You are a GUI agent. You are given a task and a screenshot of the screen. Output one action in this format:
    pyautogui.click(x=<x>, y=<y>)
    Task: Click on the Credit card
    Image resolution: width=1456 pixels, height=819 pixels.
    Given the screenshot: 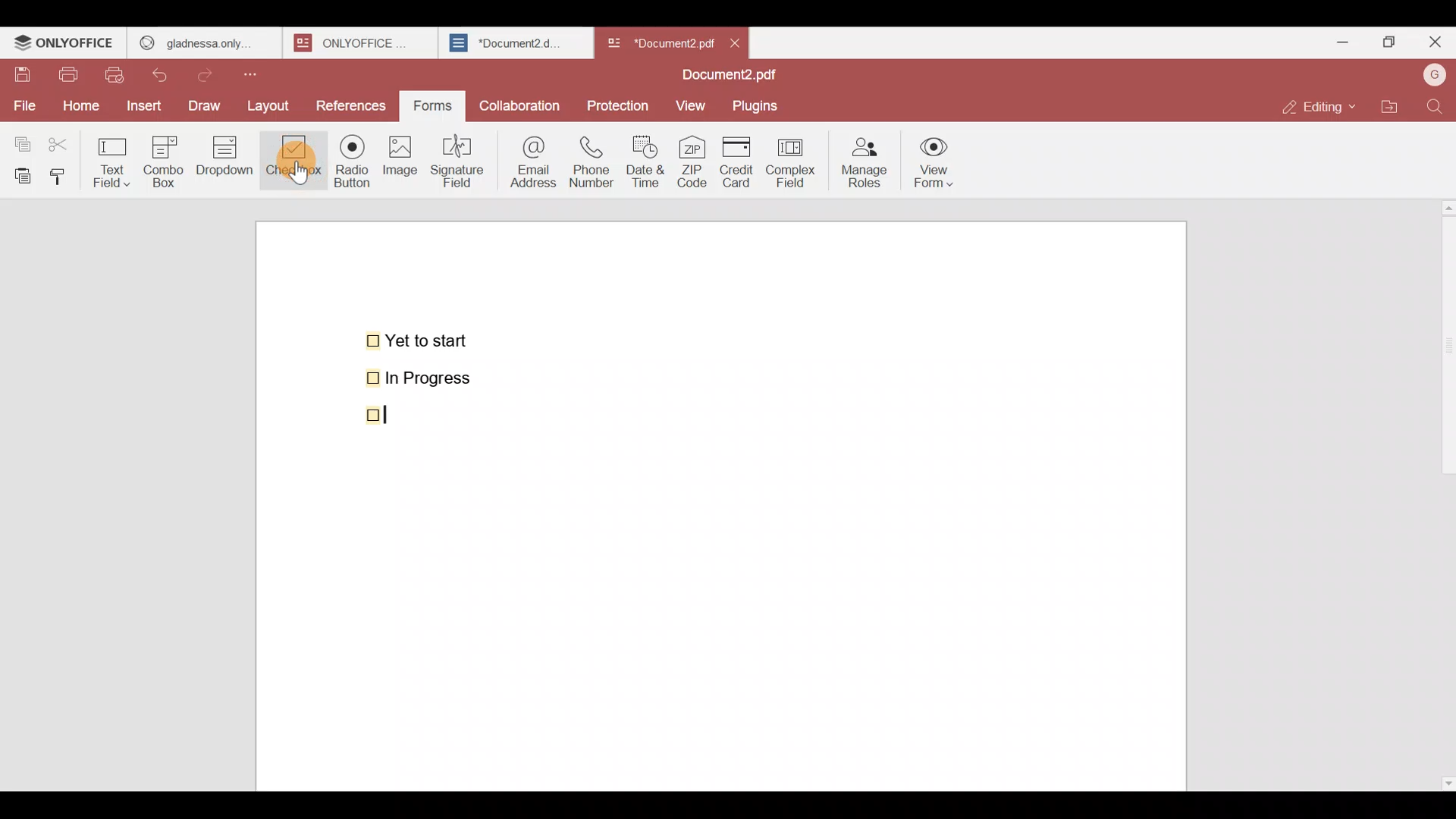 What is the action you would take?
    pyautogui.click(x=733, y=163)
    